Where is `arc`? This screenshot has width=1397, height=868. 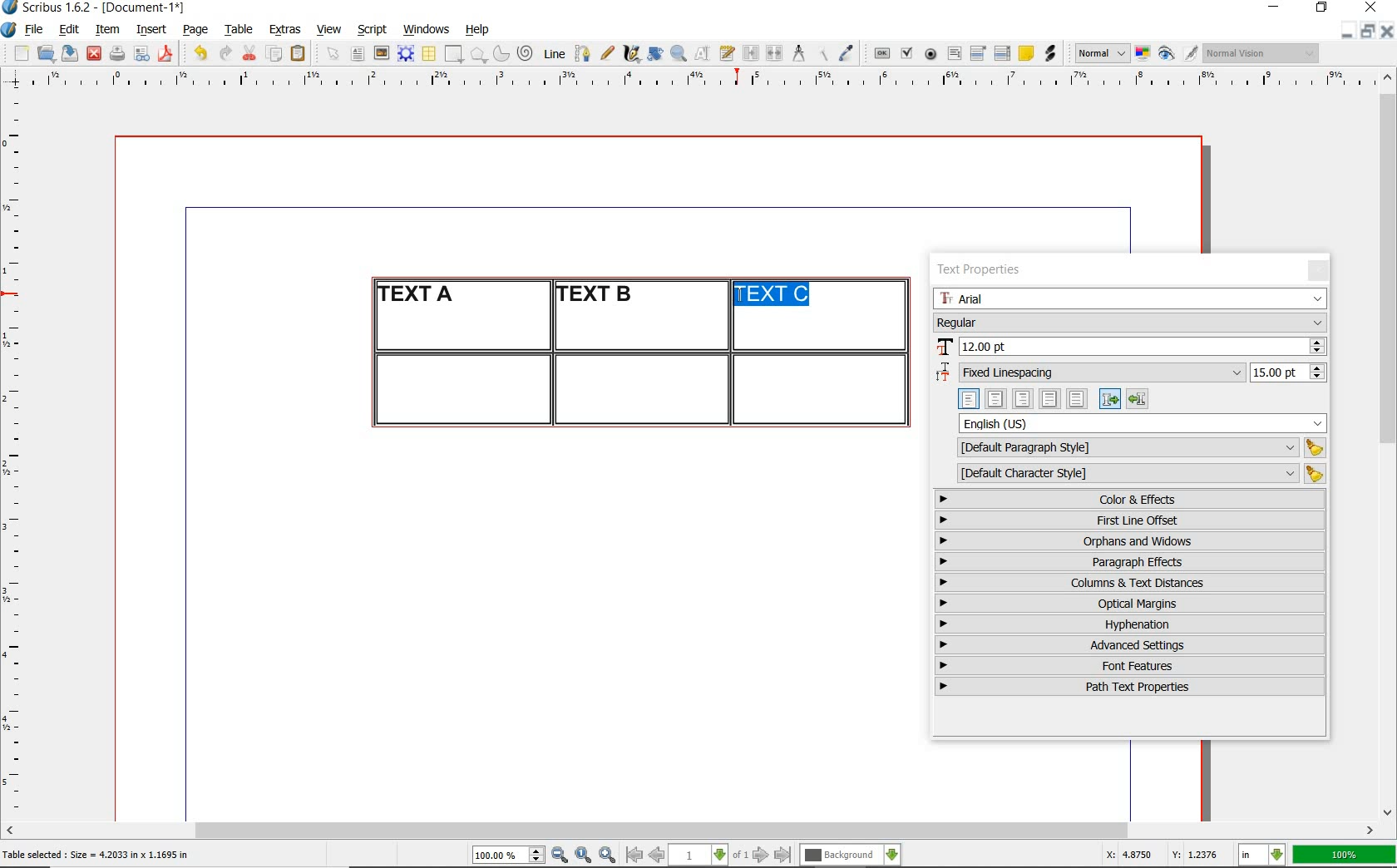
arc is located at coordinates (501, 53).